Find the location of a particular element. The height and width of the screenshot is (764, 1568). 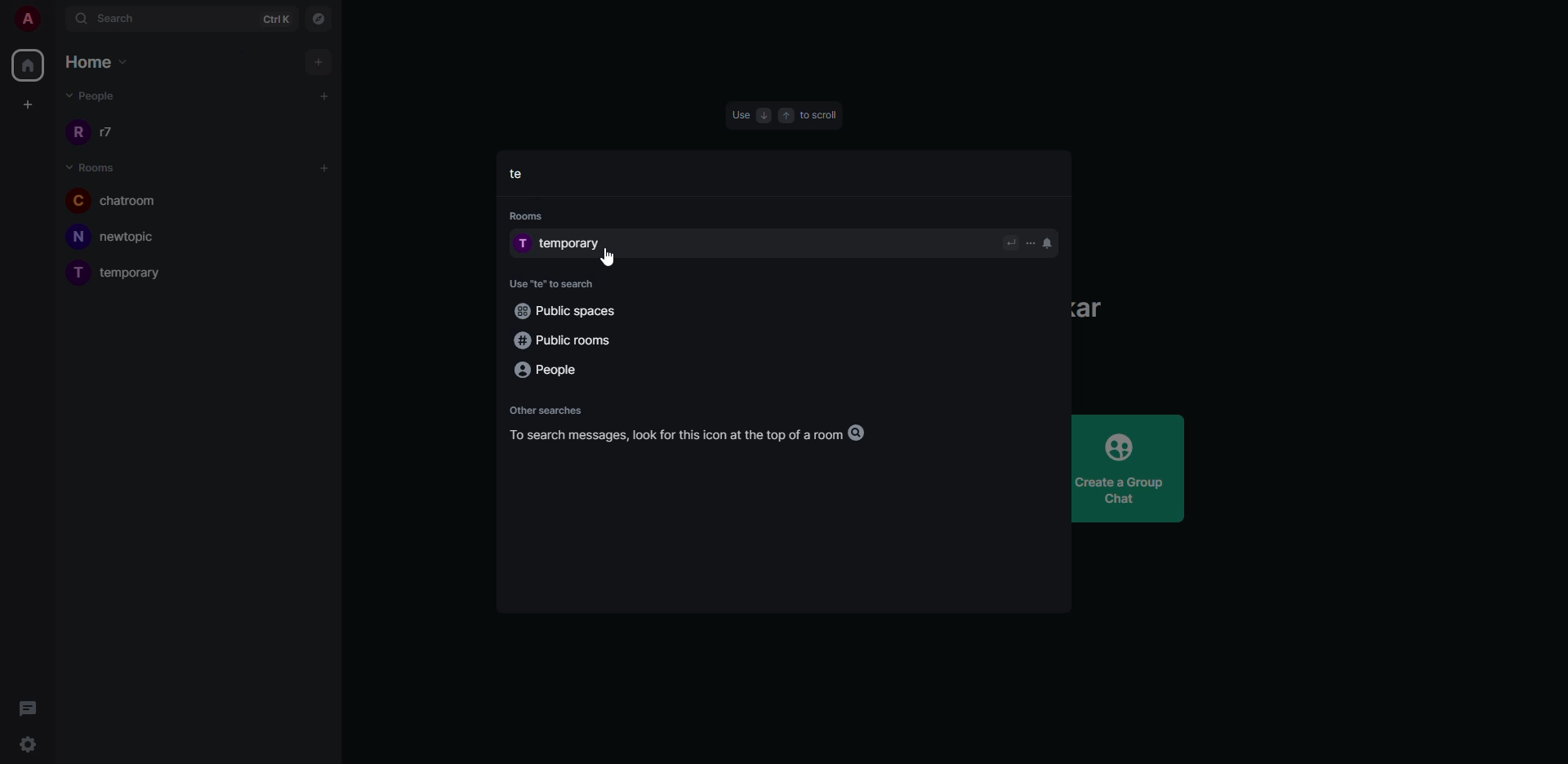

info is located at coordinates (697, 434).